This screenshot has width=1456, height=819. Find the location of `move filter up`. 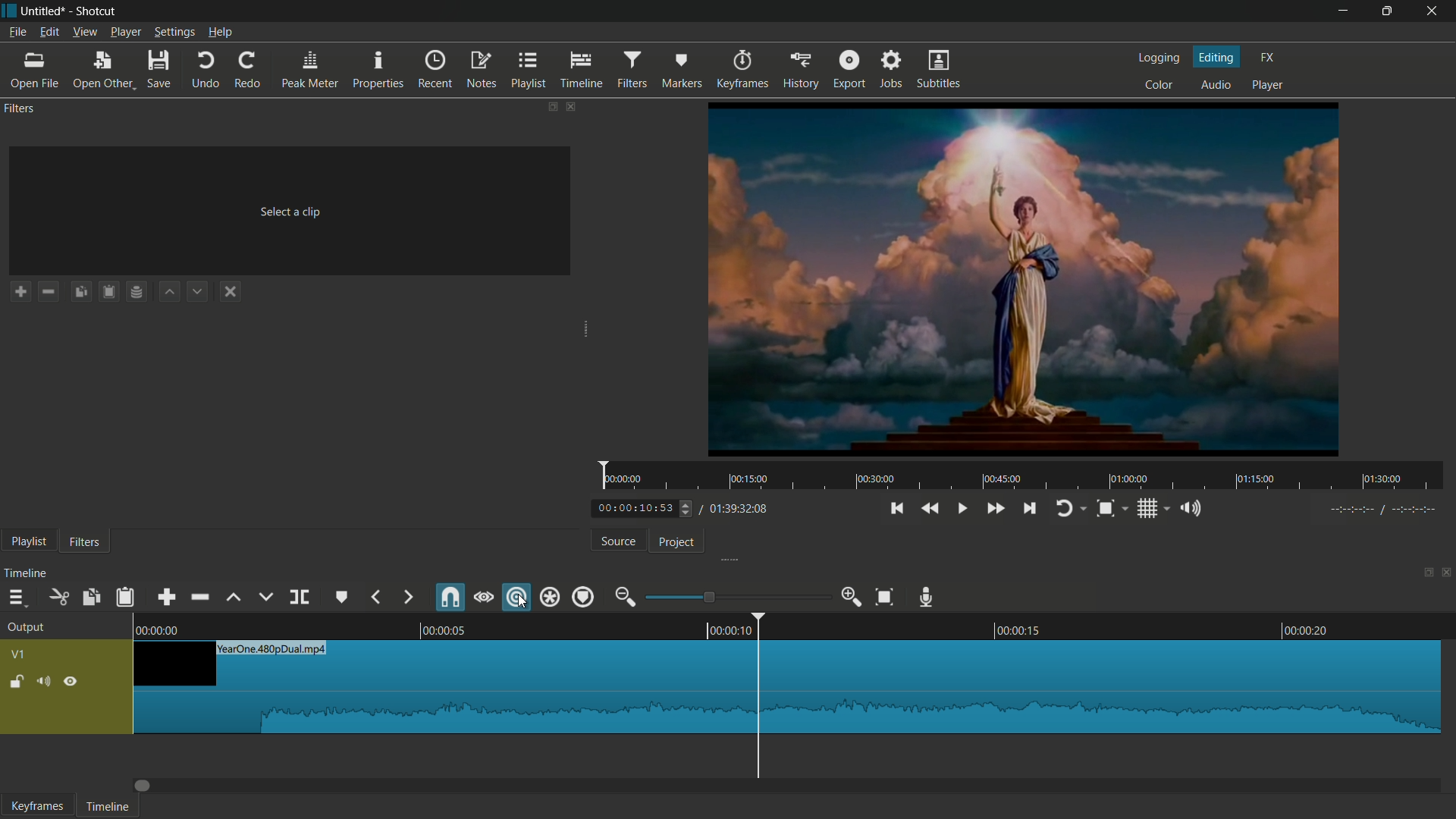

move filter up is located at coordinates (168, 291).